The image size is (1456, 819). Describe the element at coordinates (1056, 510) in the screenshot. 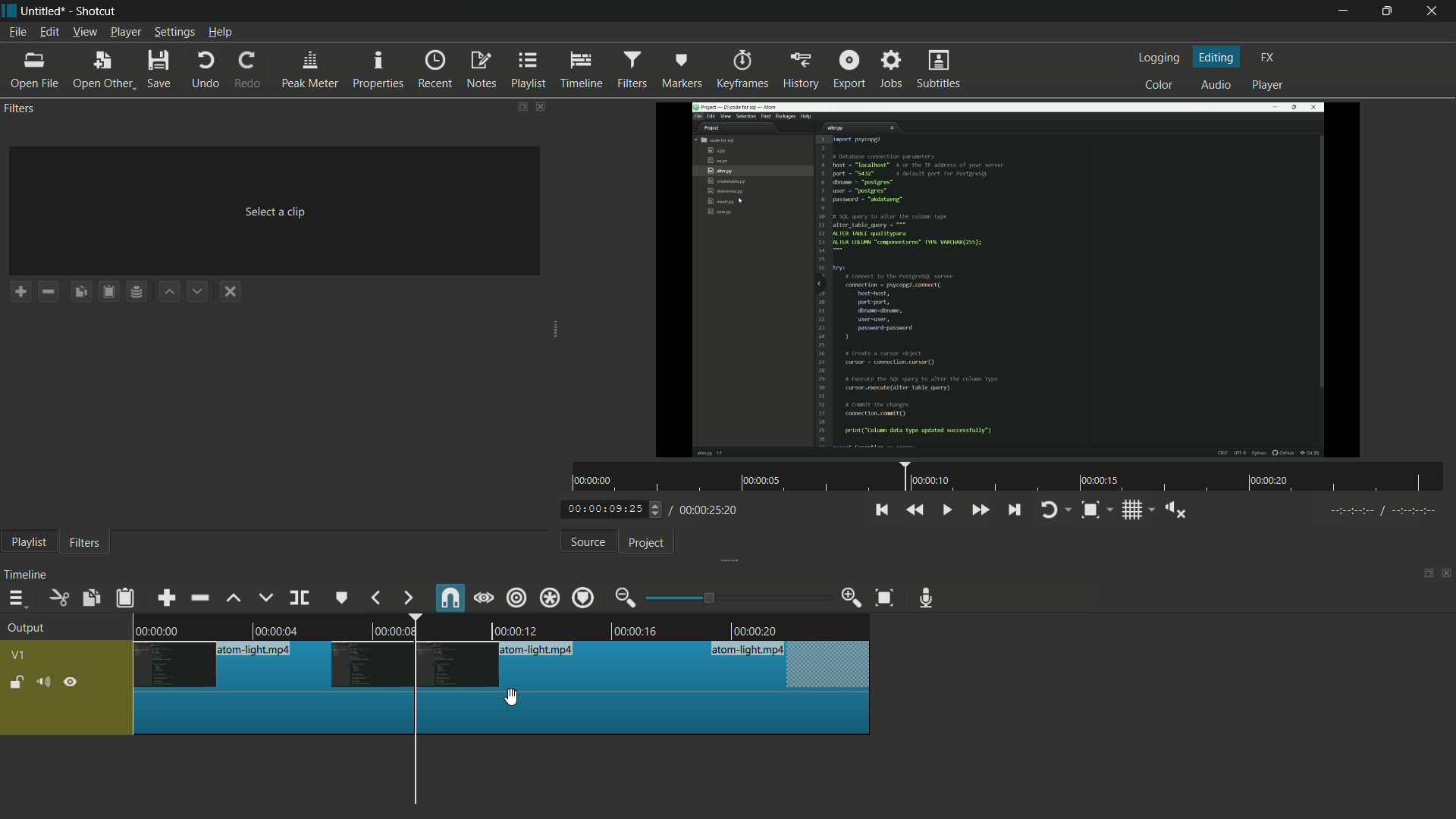

I see `toggle player looping` at that location.